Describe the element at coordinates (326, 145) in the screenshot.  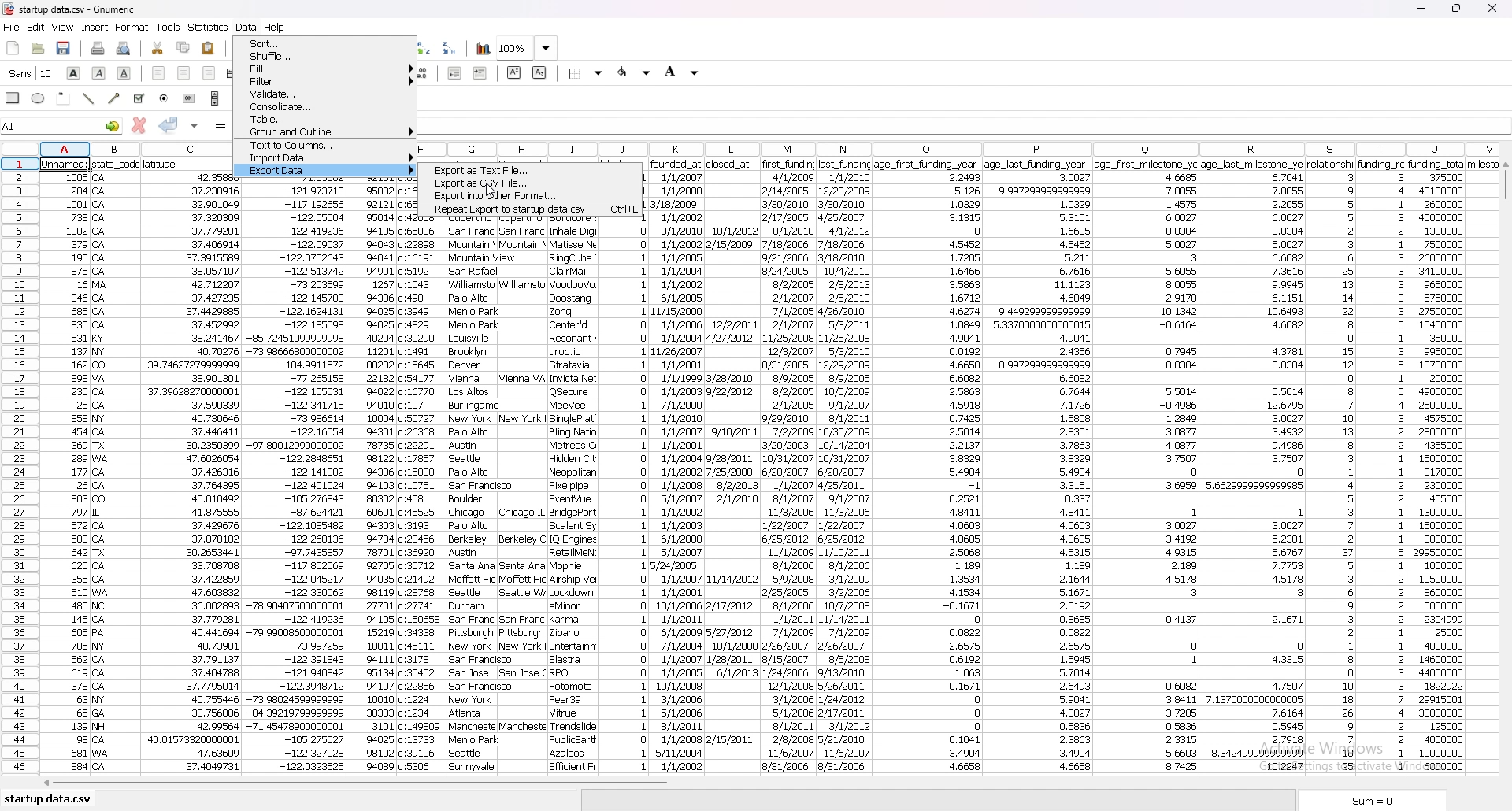
I see `text to columns` at that location.